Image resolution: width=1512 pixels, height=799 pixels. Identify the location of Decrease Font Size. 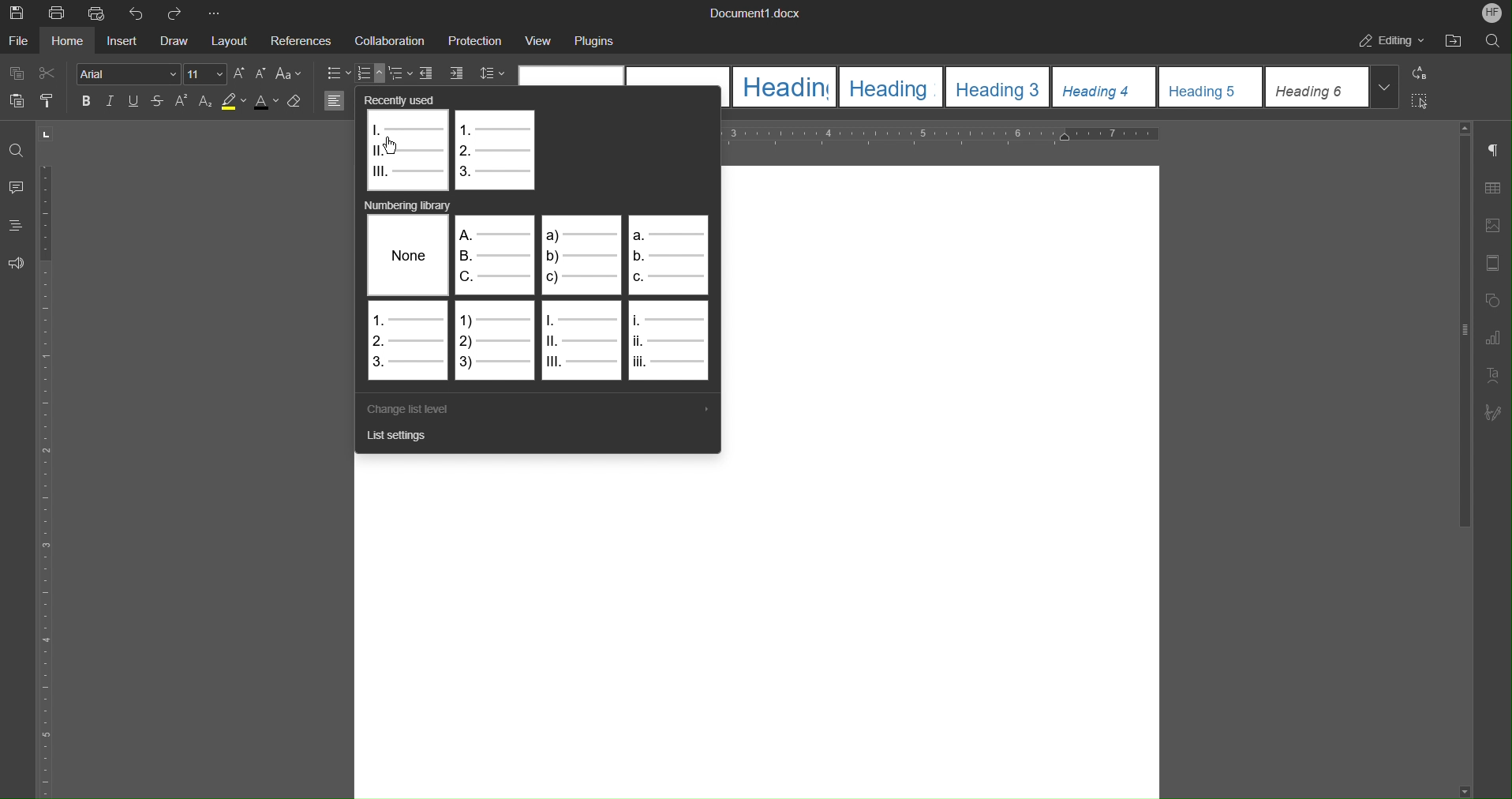
(263, 73).